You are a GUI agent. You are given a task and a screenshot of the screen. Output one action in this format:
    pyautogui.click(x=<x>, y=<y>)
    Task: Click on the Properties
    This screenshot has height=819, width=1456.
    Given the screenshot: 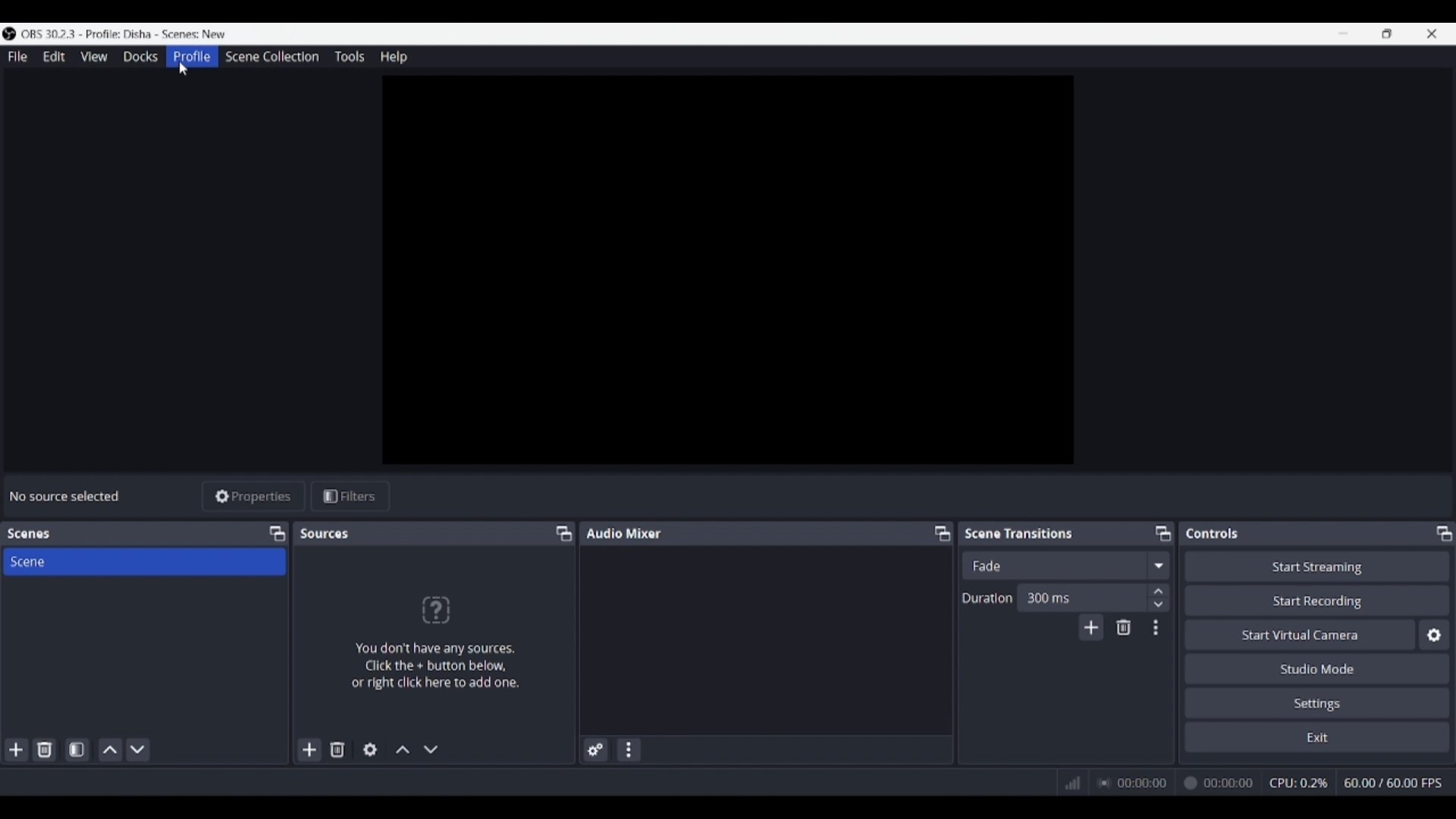 What is the action you would take?
    pyautogui.click(x=254, y=497)
    